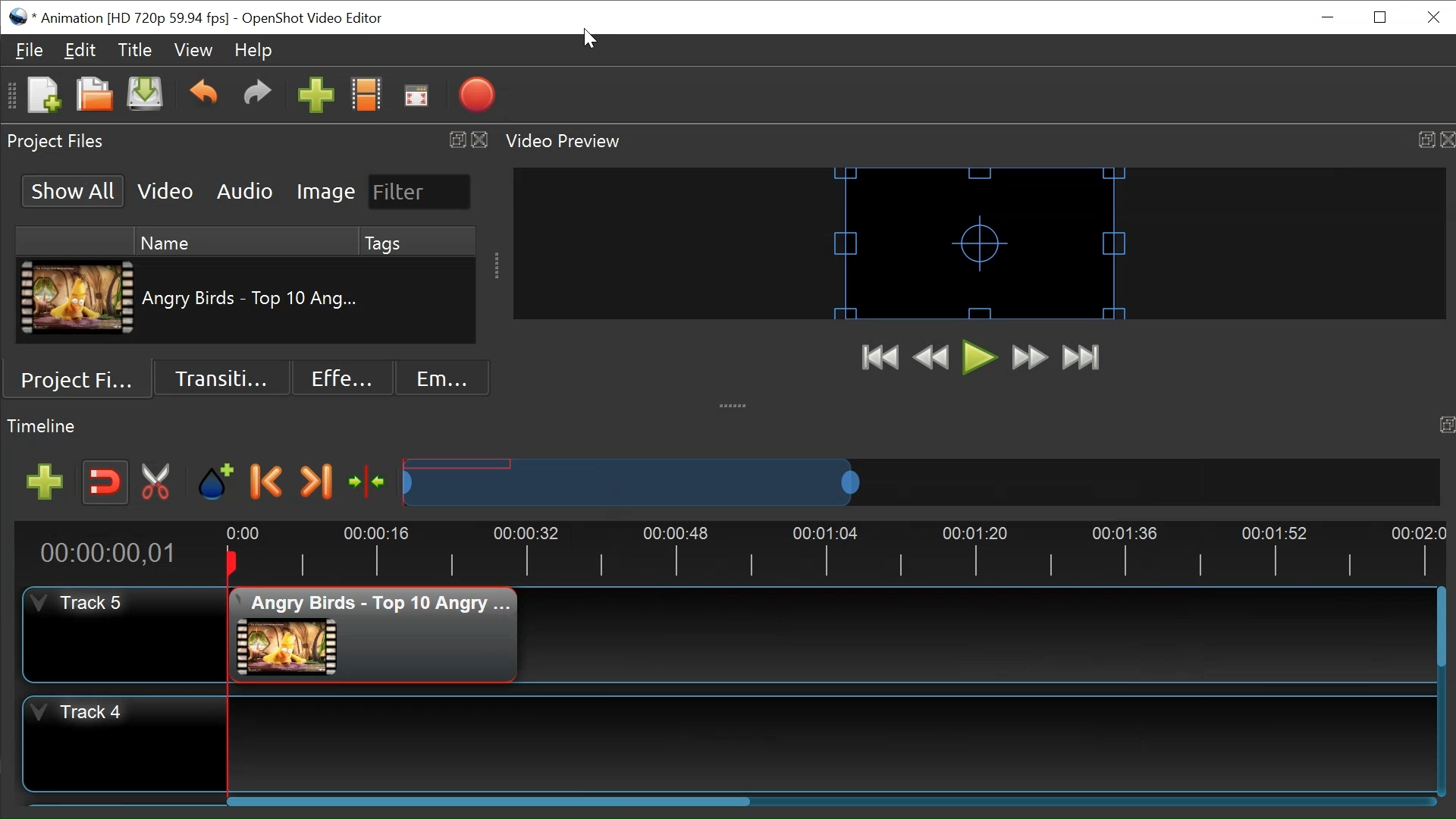  Describe the element at coordinates (267, 481) in the screenshot. I see `Previous Marker` at that location.